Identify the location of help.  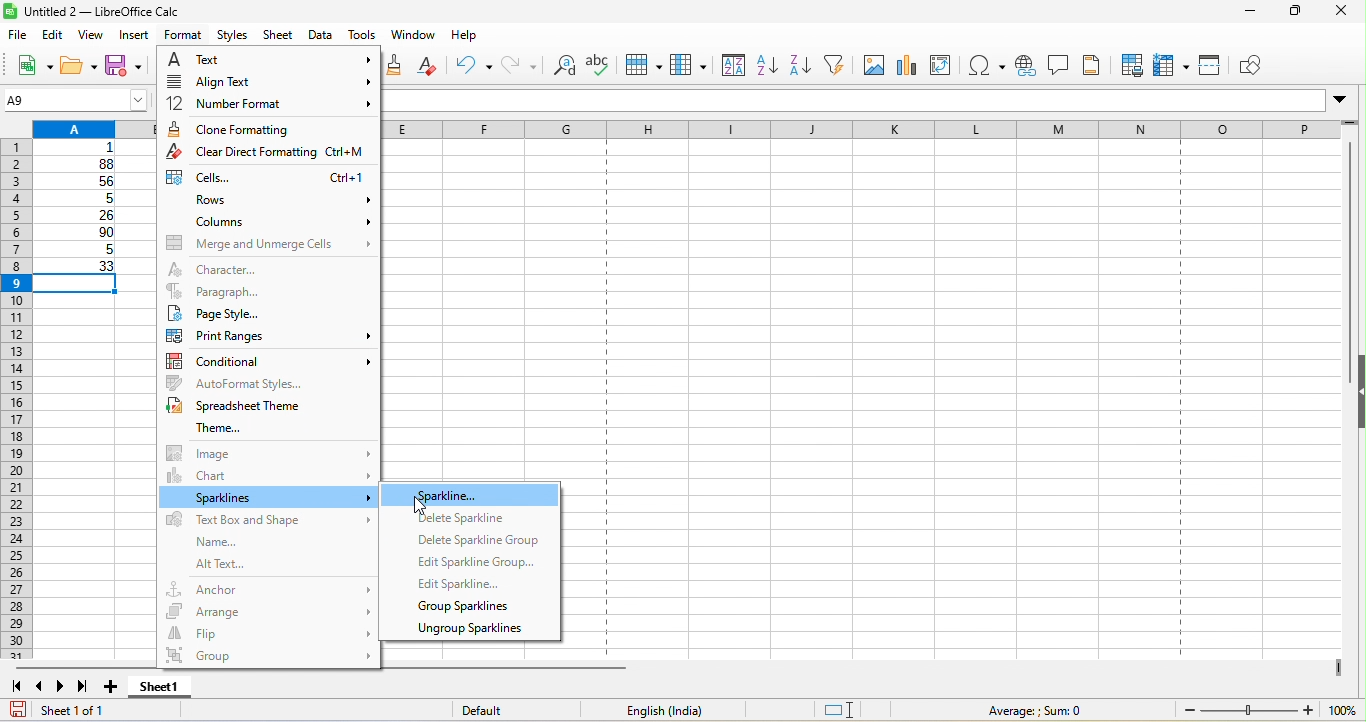
(465, 39).